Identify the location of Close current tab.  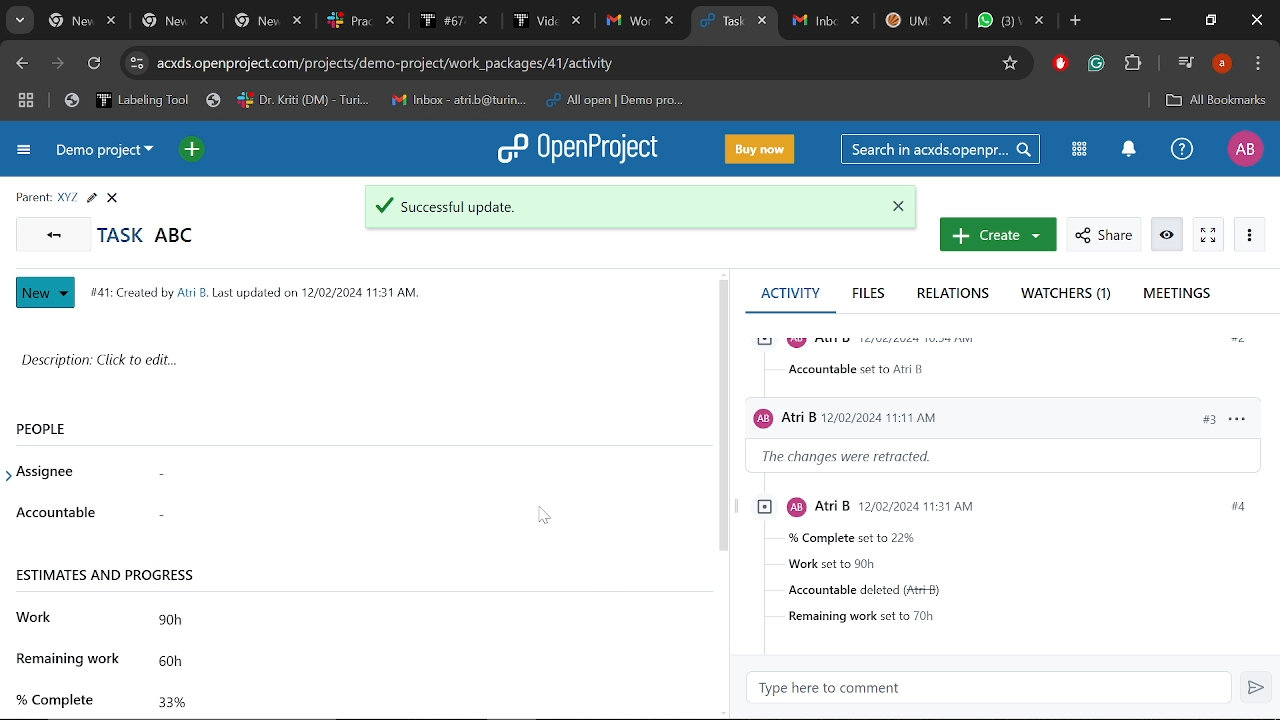
(764, 23).